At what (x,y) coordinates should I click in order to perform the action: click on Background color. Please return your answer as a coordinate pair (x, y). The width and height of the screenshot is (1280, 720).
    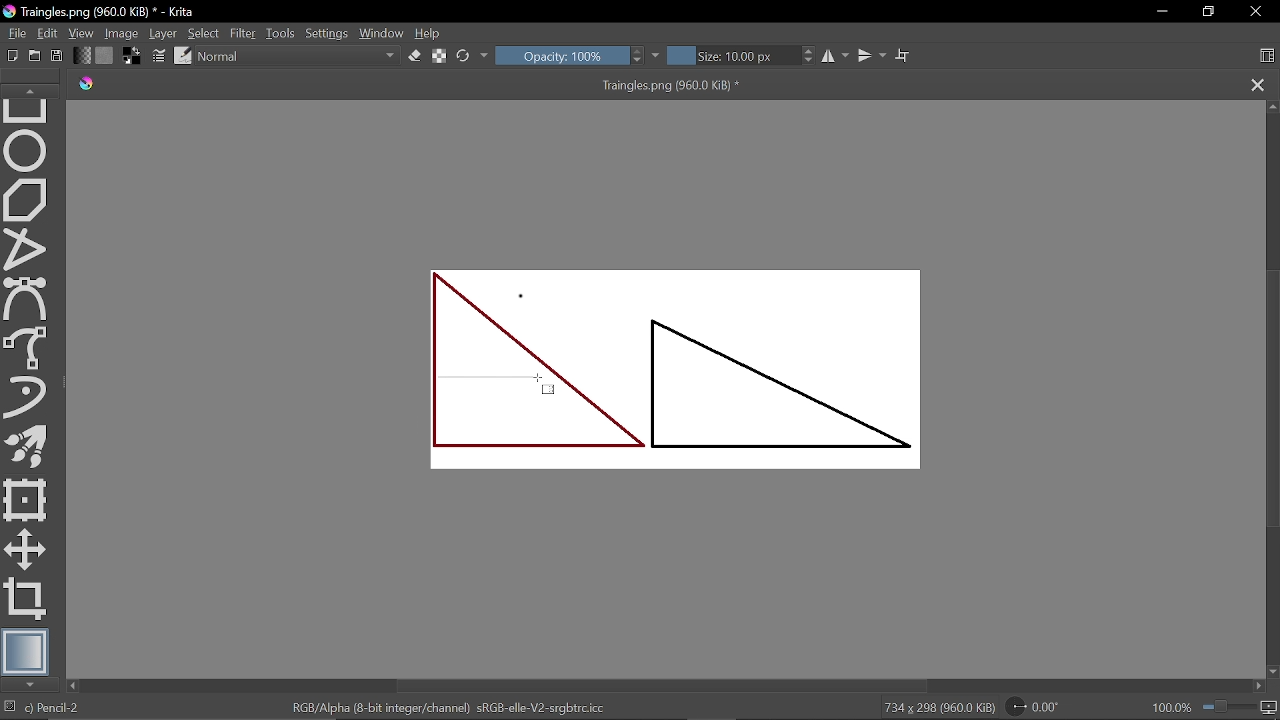
    Looking at the image, I should click on (131, 55).